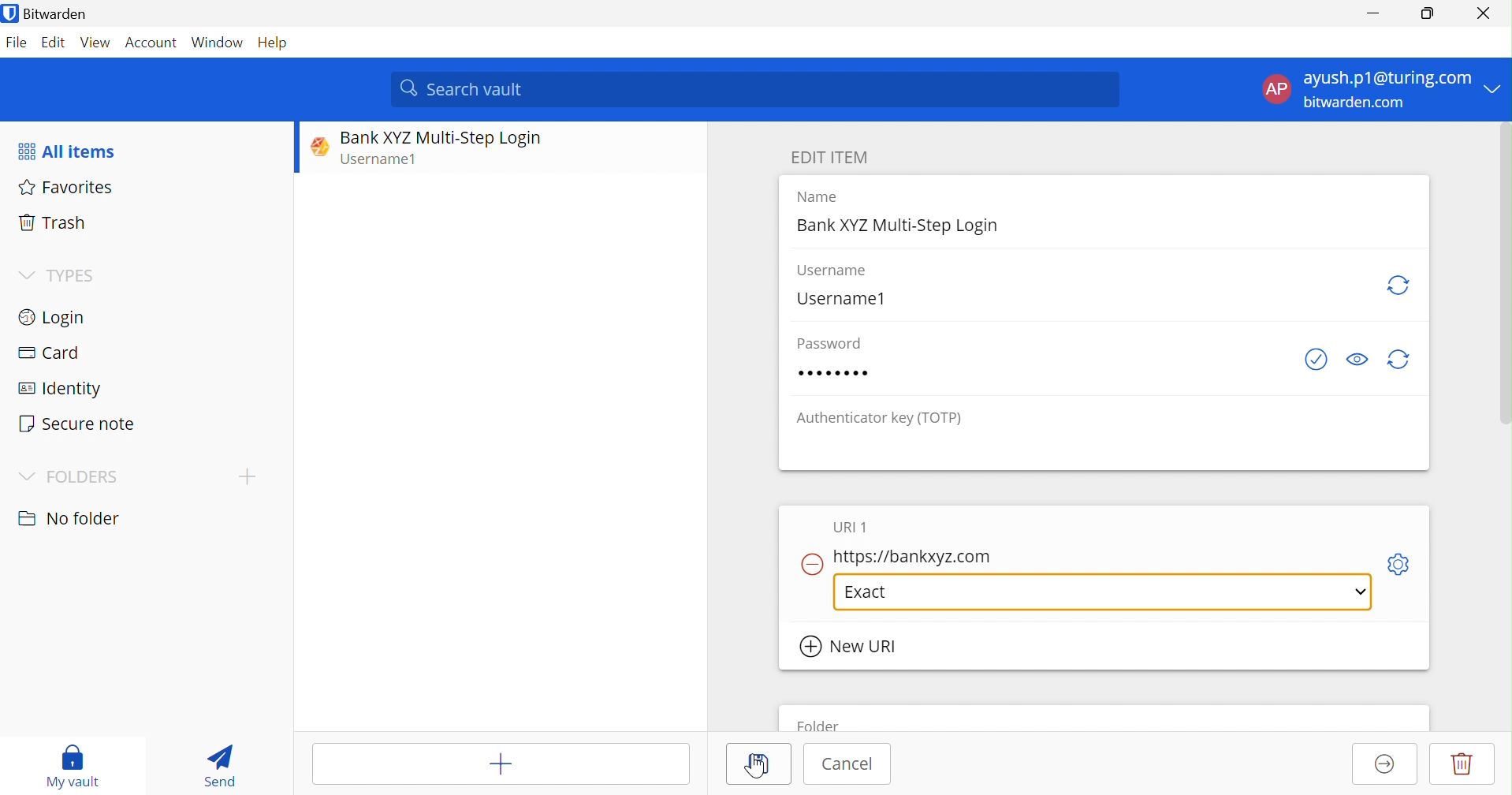 This screenshot has width=1512, height=795. I want to click on DROPDOWN, so click(1357, 592).